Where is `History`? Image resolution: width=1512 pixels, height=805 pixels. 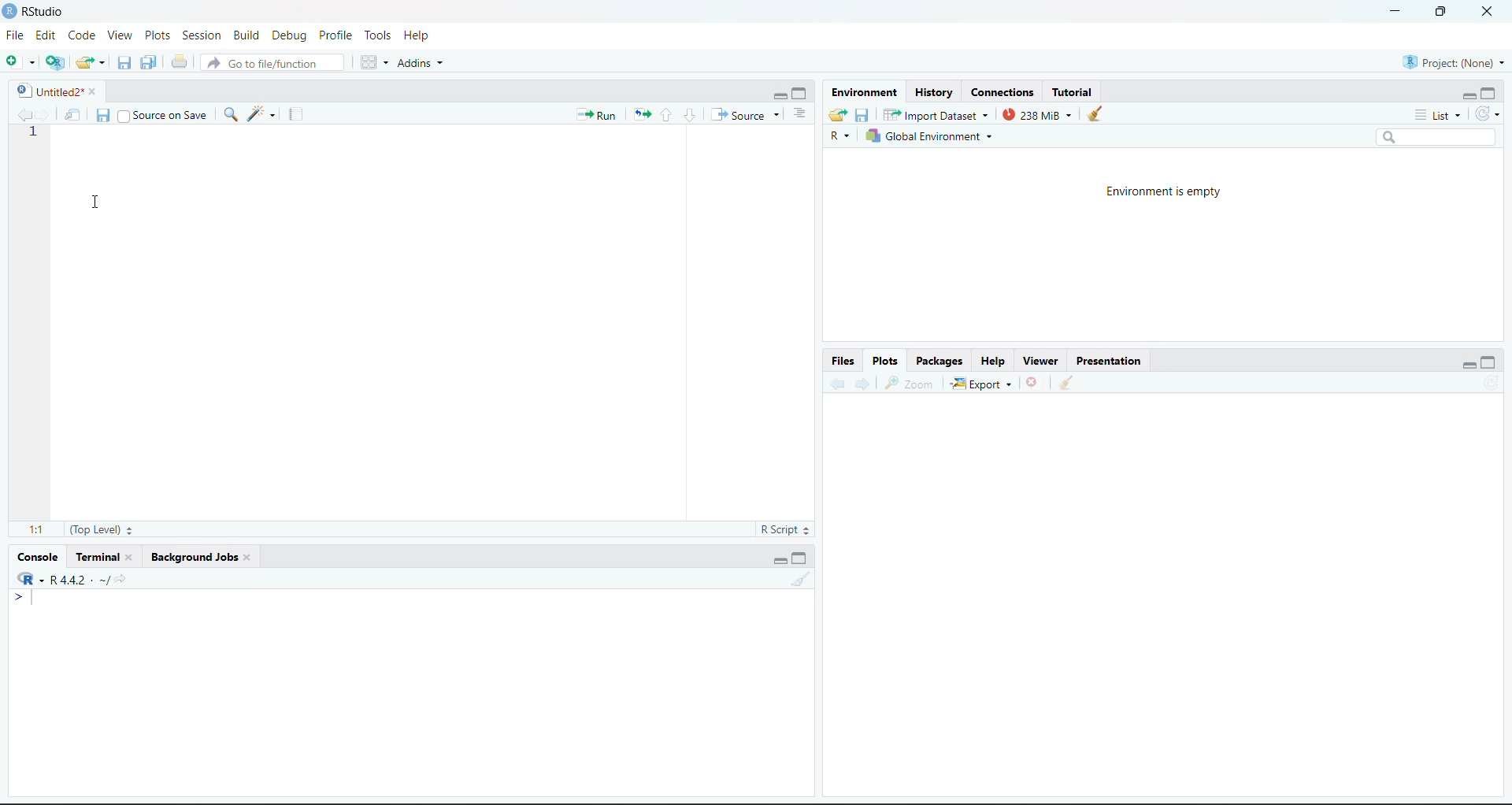 History is located at coordinates (933, 93).